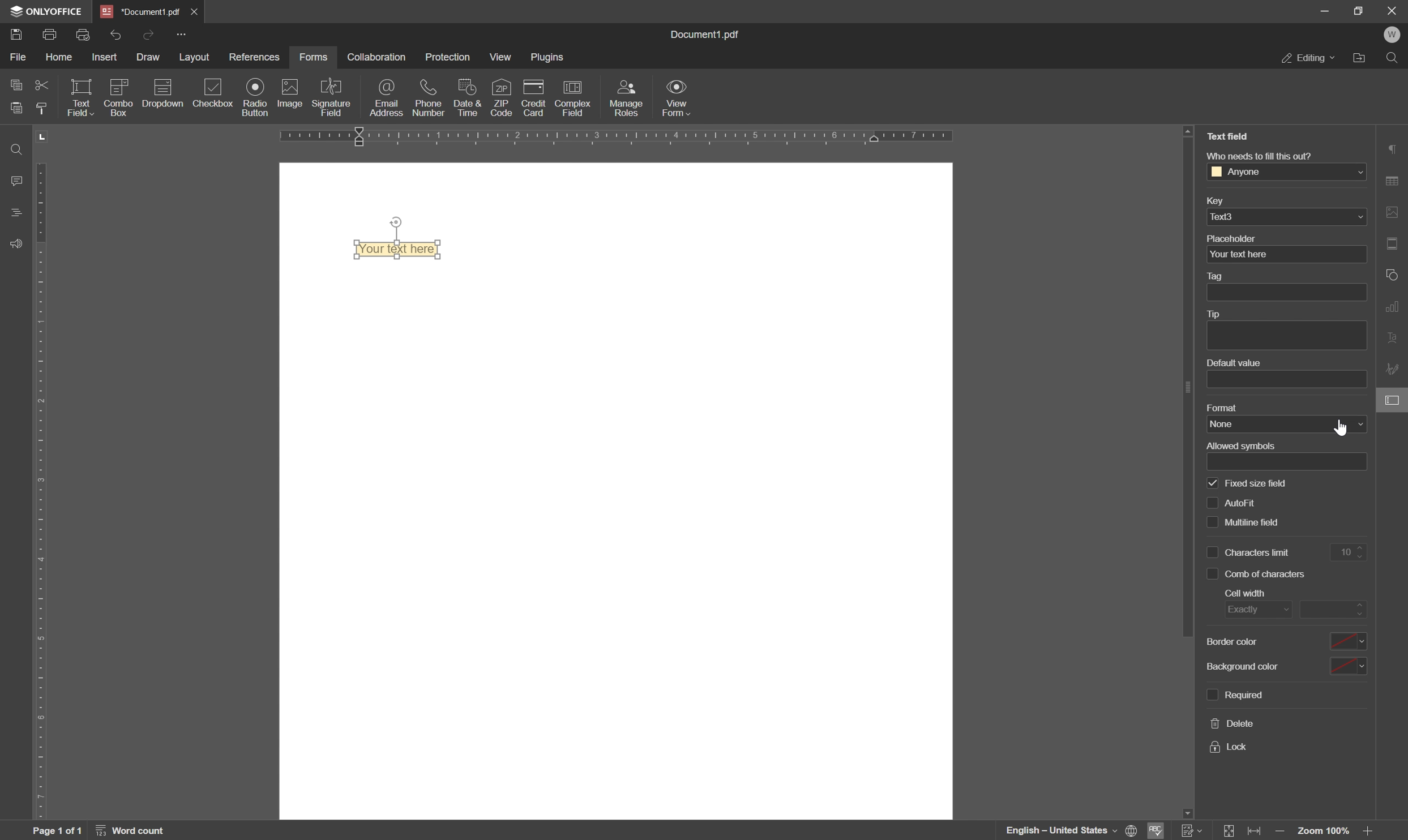 This screenshot has height=840, width=1408. I want to click on text3, so click(1230, 216).